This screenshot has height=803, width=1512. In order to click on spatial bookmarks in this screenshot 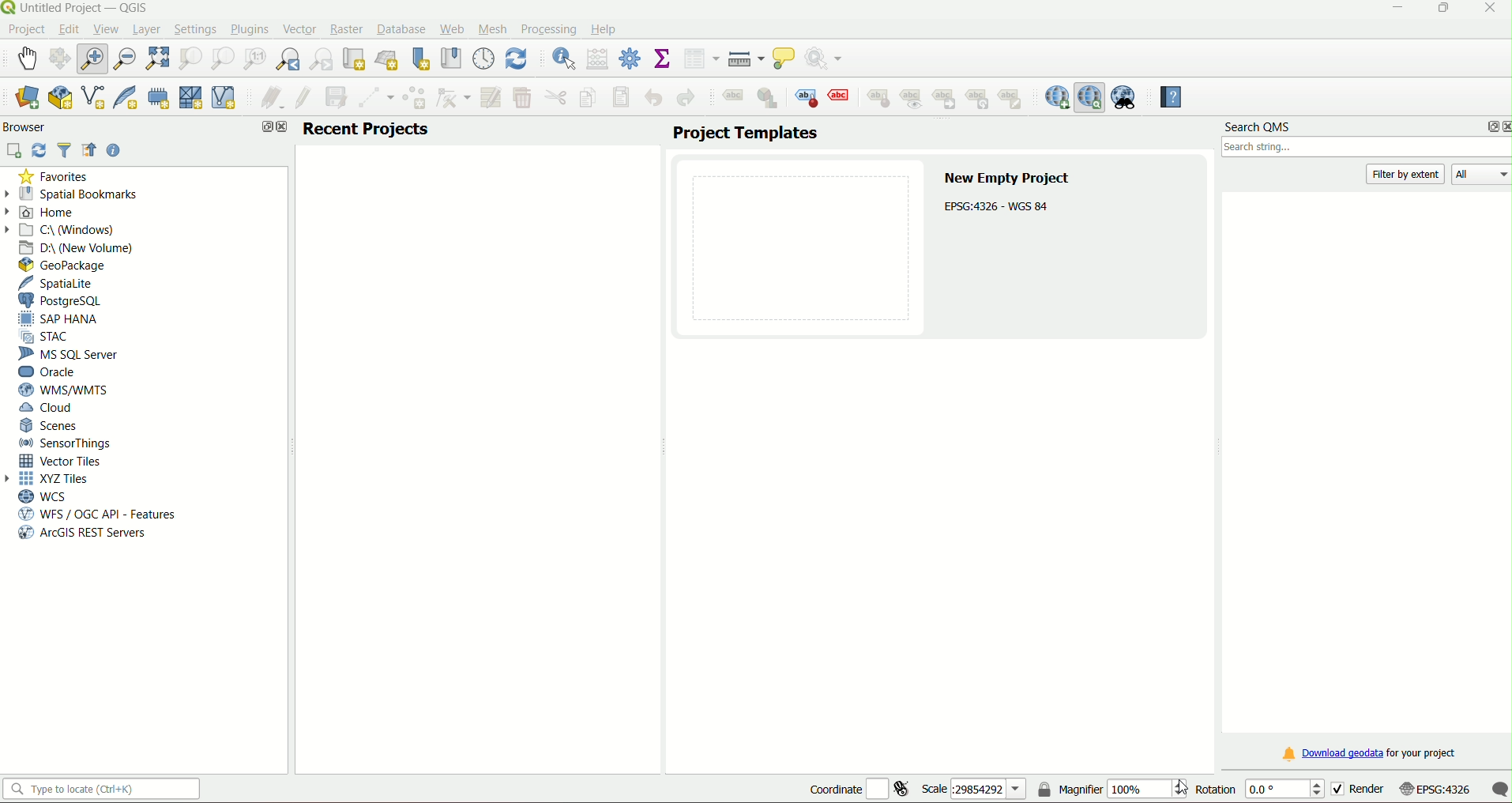, I will do `click(81, 194)`.